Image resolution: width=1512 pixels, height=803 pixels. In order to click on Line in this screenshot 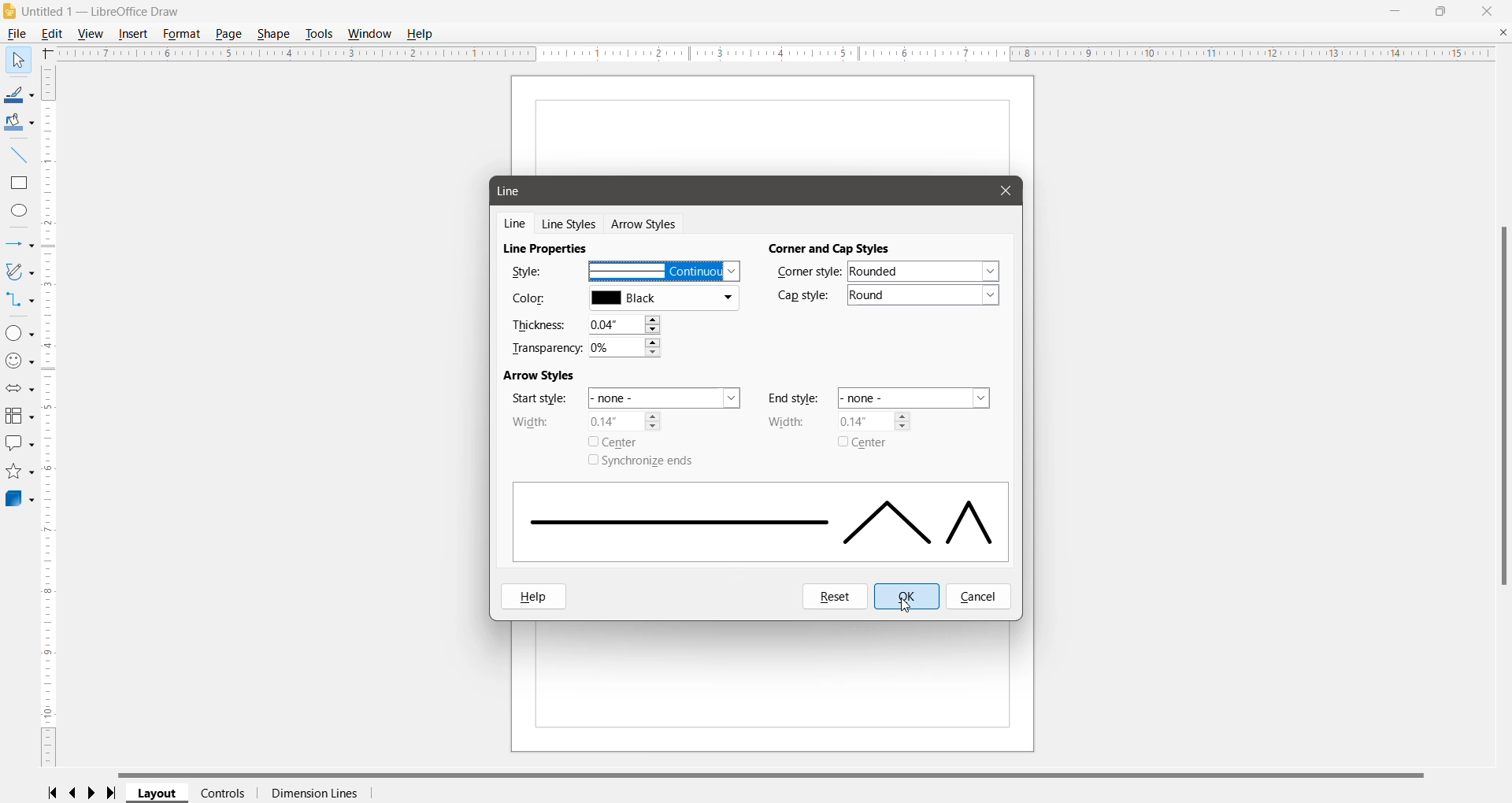, I will do `click(516, 224)`.